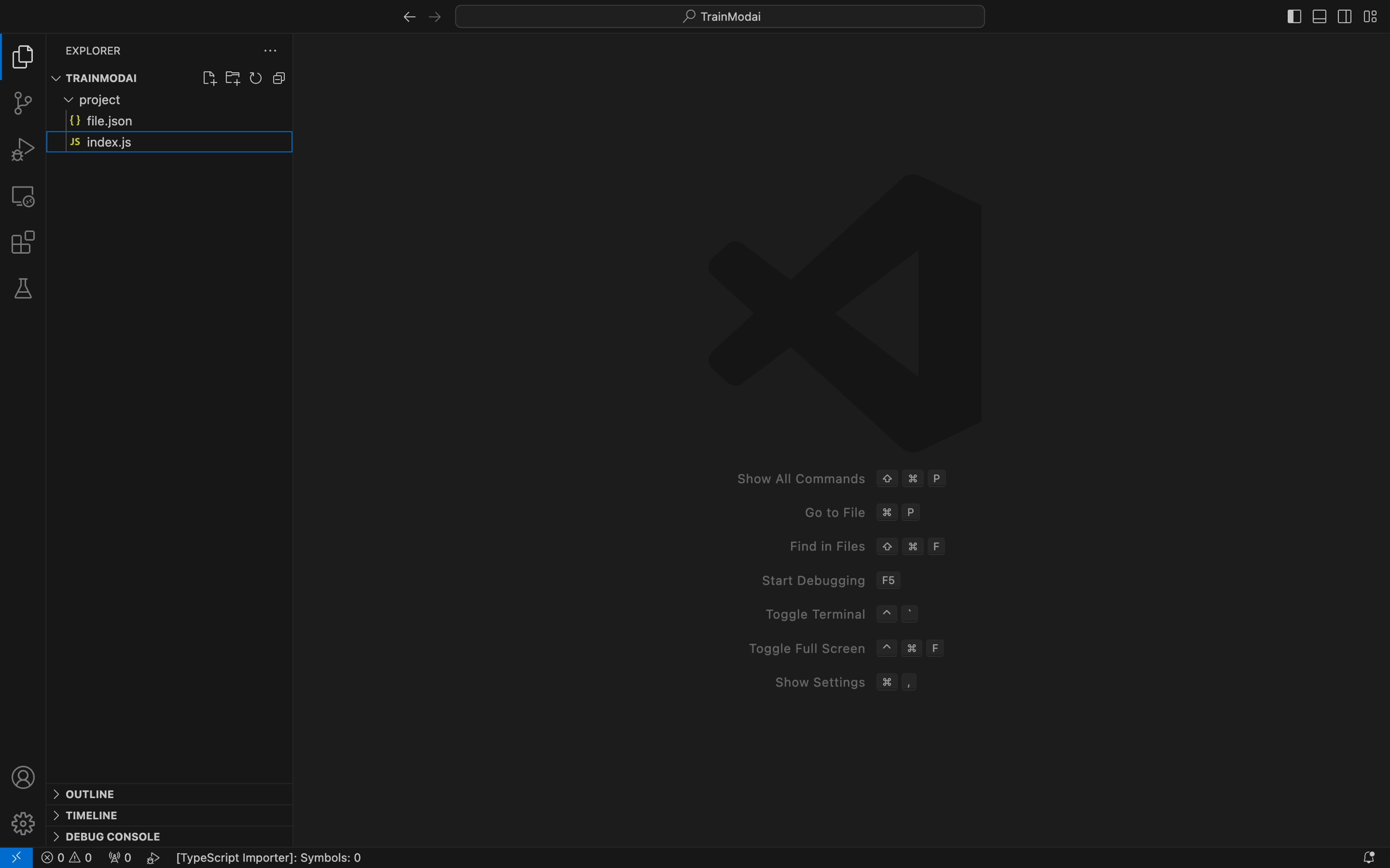  I want to click on extensions, so click(22, 241).